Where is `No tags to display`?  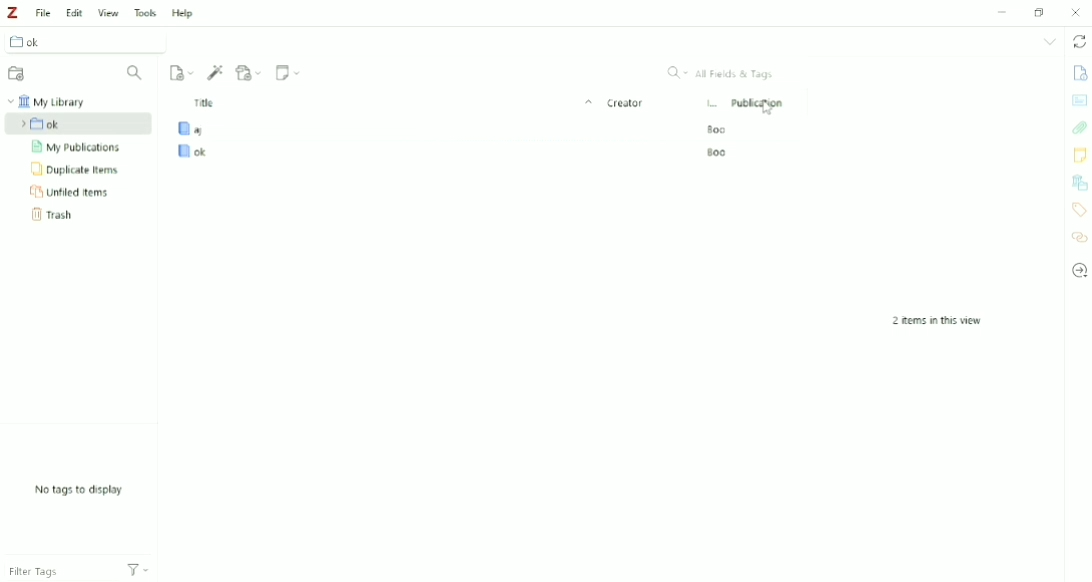 No tags to display is located at coordinates (76, 491).